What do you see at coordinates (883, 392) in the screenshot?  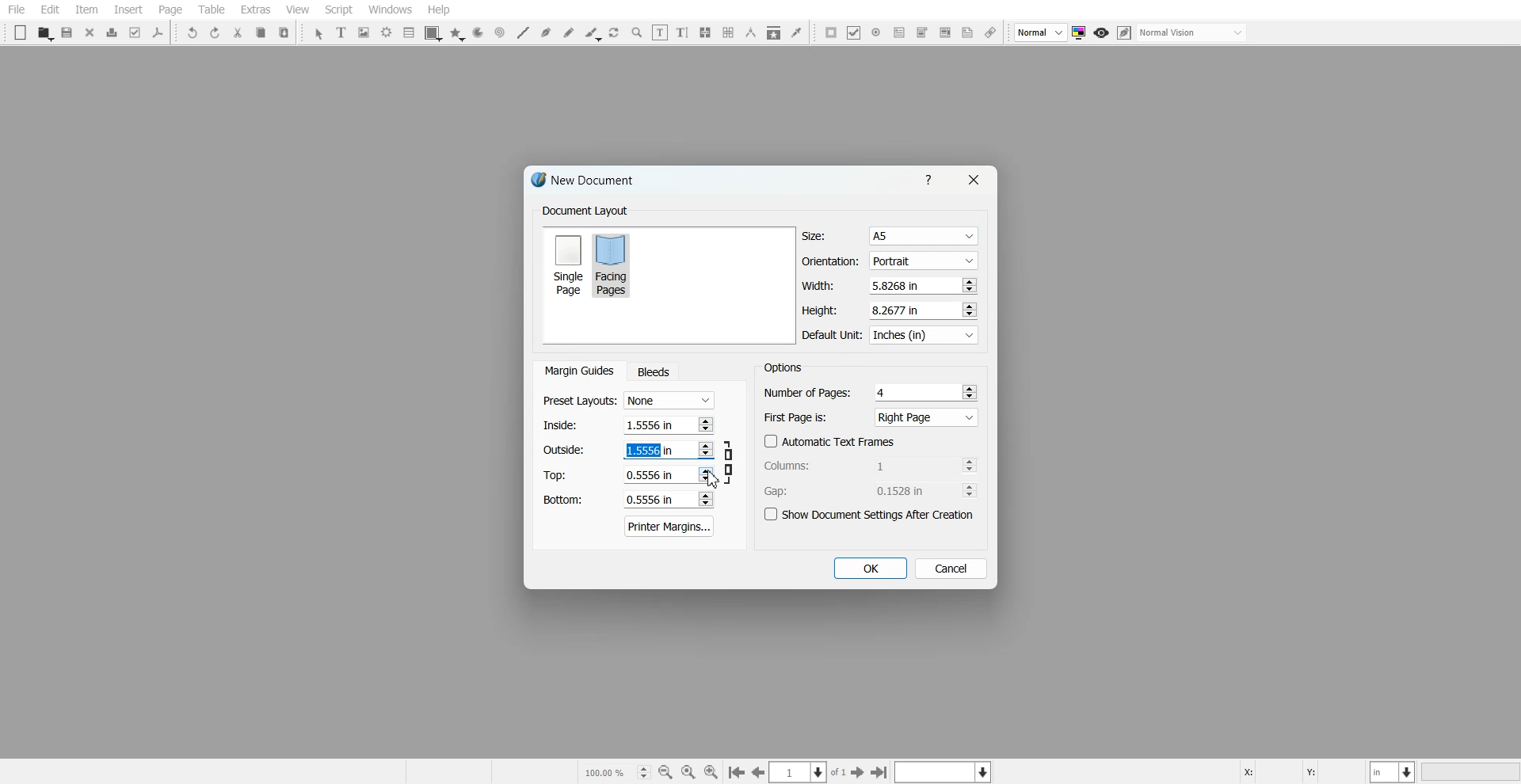 I see `4` at bounding box center [883, 392].